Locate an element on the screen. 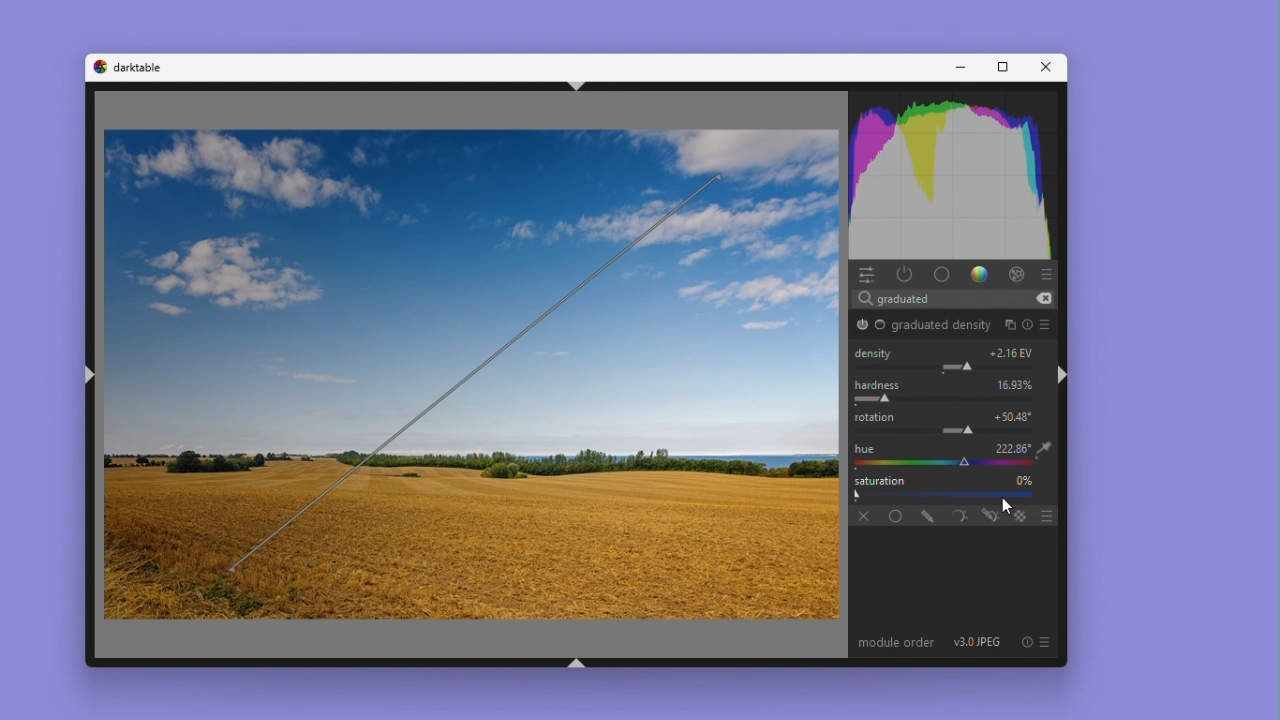 This screenshot has width=1280, height=720. graduated density is located at coordinates (941, 327).